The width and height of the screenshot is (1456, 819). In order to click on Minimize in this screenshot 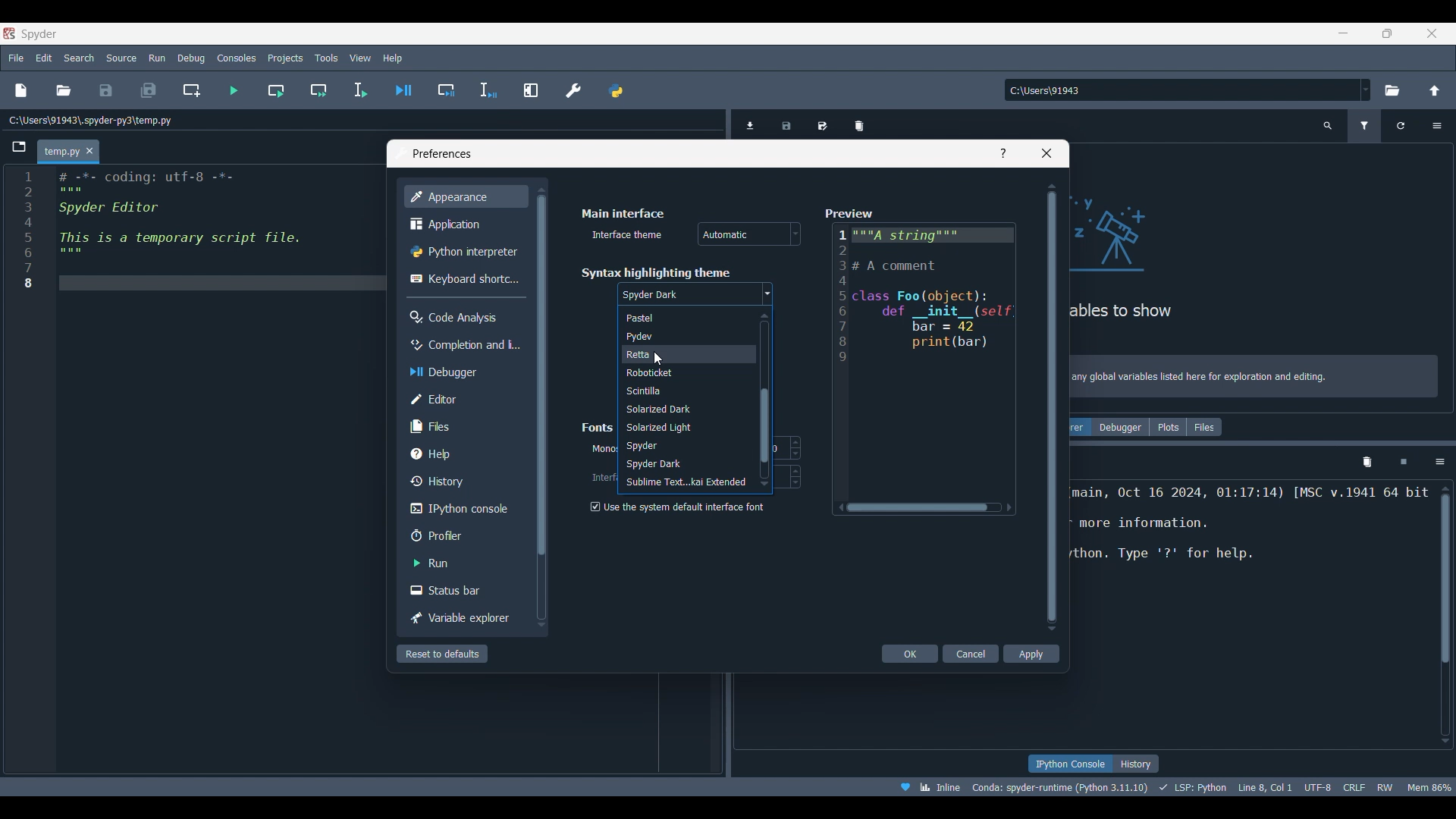, I will do `click(1349, 36)`.